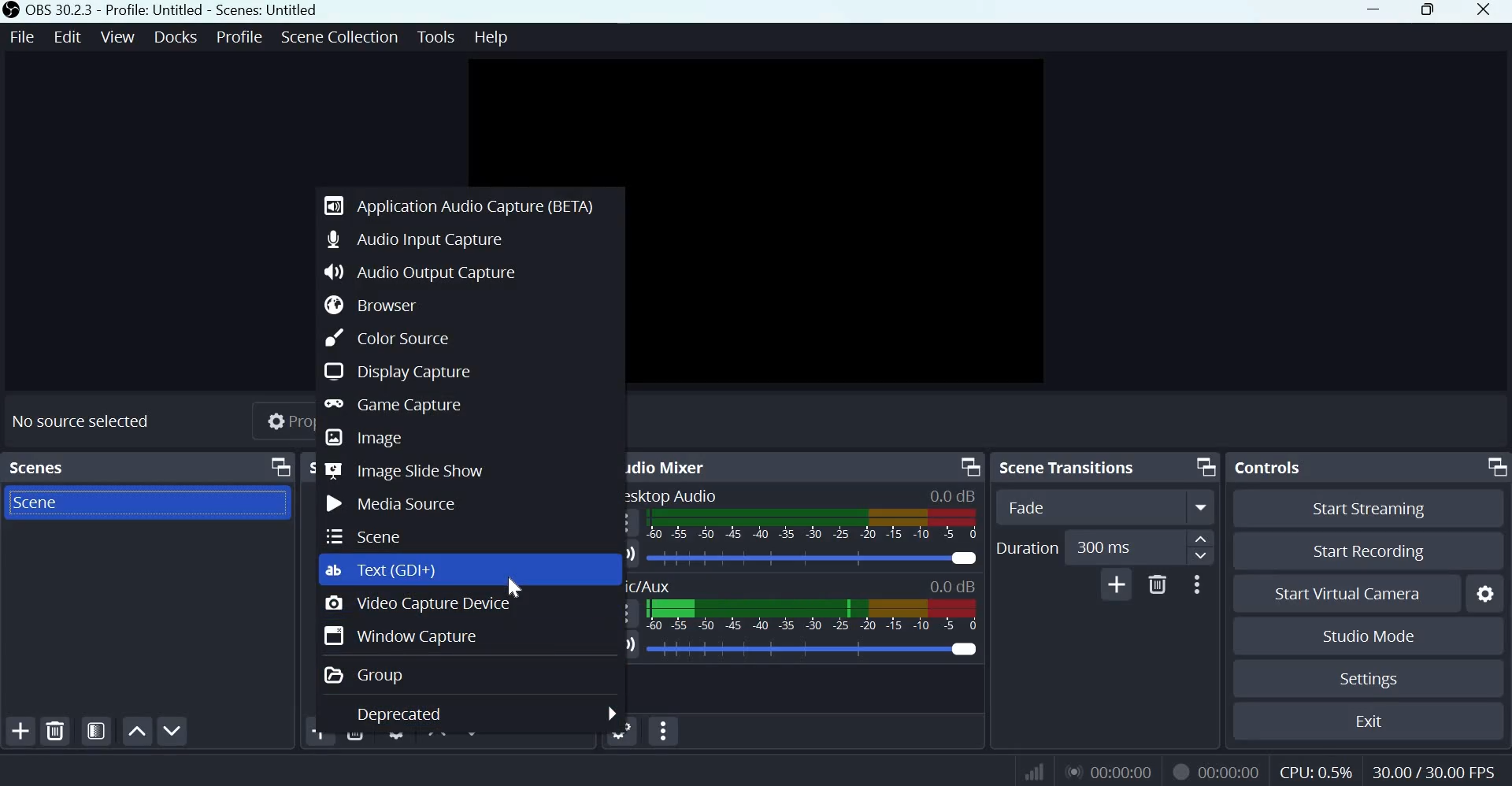  Describe the element at coordinates (391, 502) in the screenshot. I see `Media source` at that location.